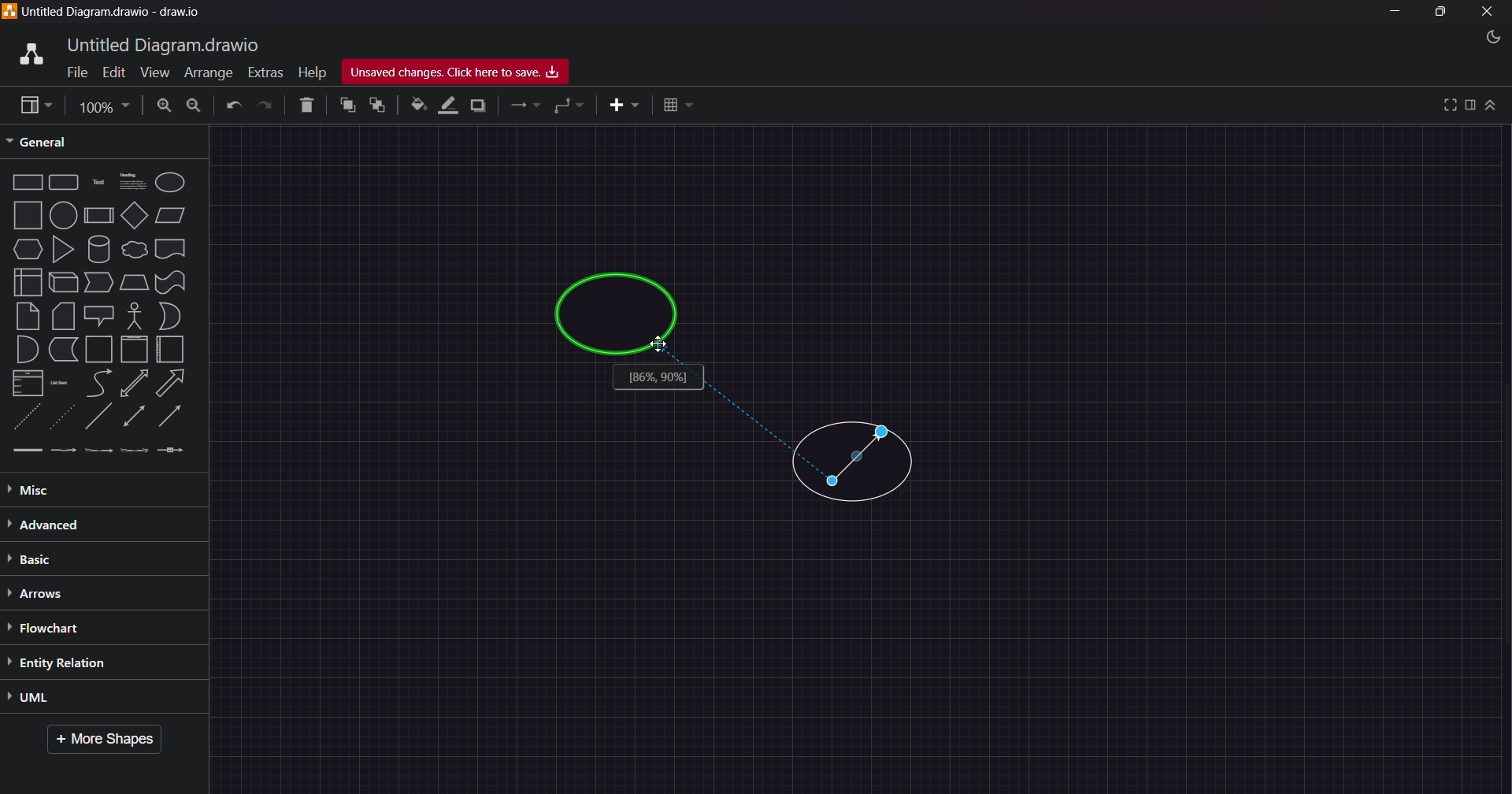 Image resolution: width=1512 pixels, height=794 pixels. What do you see at coordinates (50, 141) in the screenshot?
I see `General` at bounding box center [50, 141].